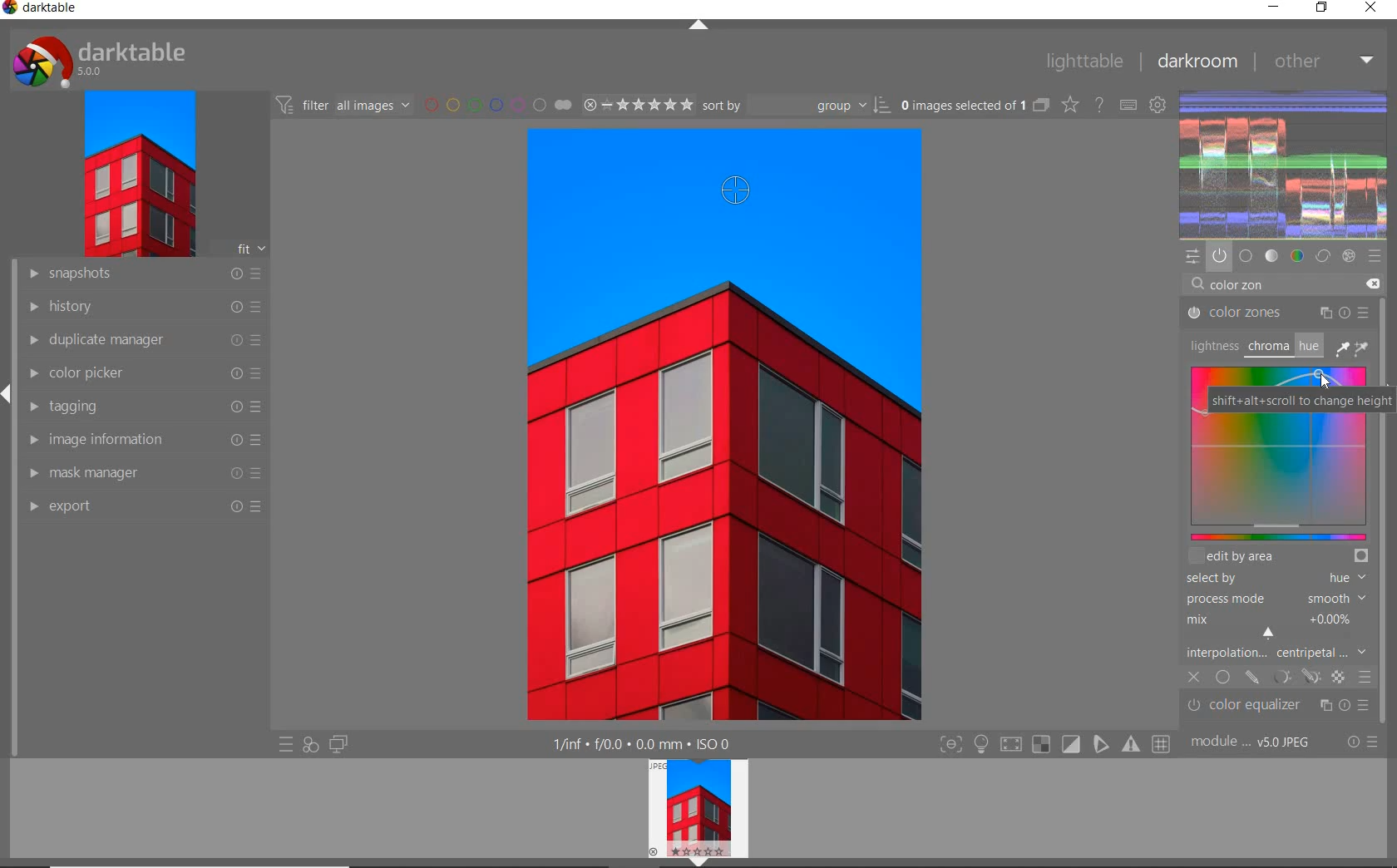 This screenshot has height=868, width=1397. What do you see at coordinates (696, 862) in the screenshot?
I see `expand/collapse` at bounding box center [696, 862].